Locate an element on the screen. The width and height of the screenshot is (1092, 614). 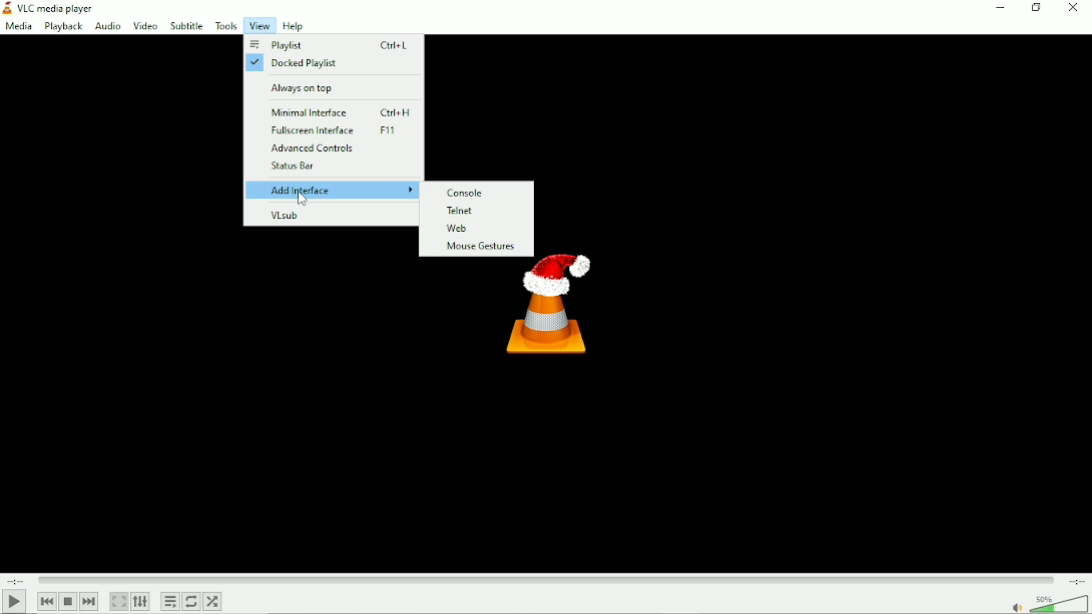
Add interface is located at coordinates (332, 189).